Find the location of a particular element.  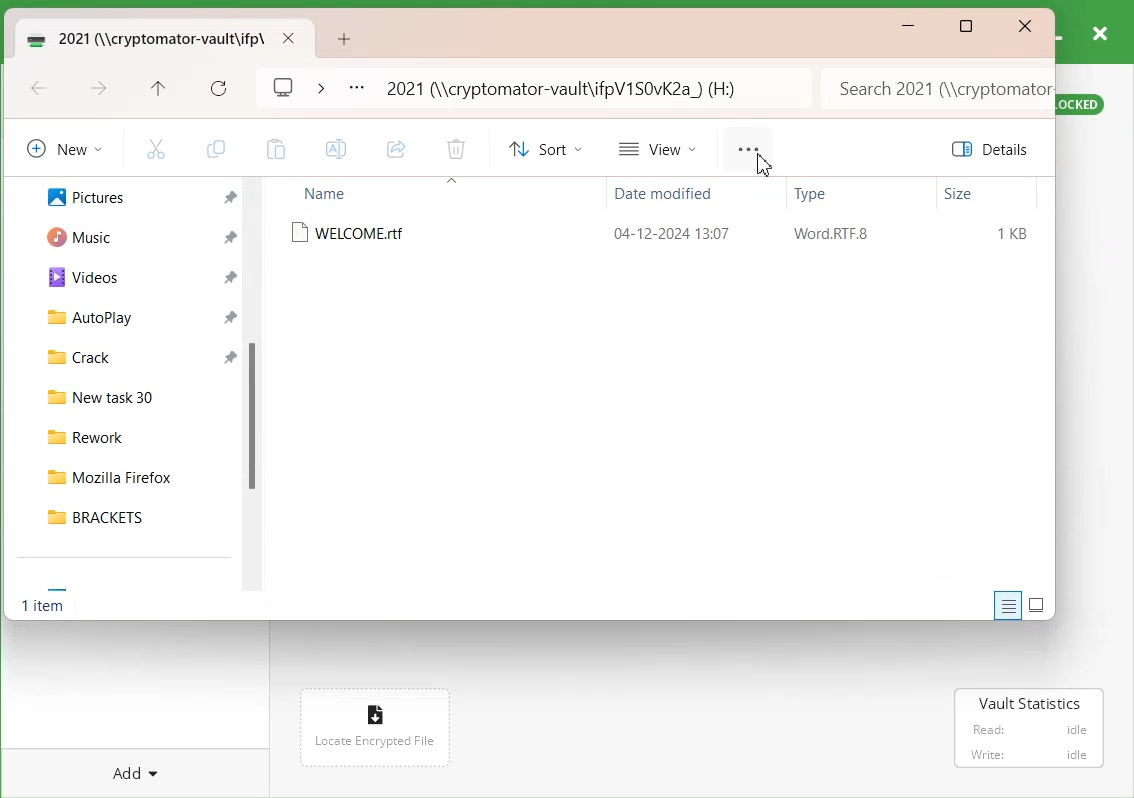

Cut is located at coordinates (156, 148).